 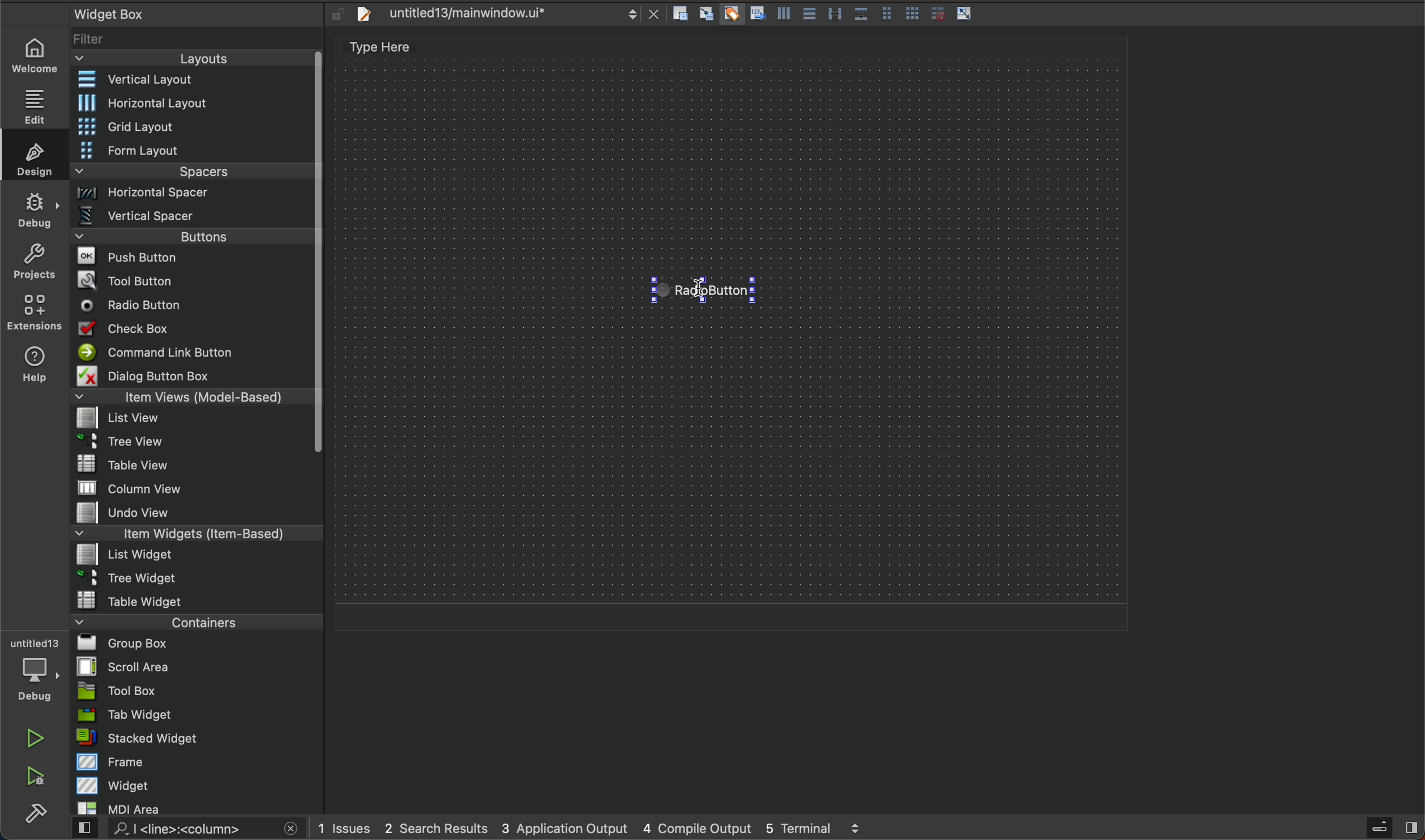 I want to click on scroll area, so click(x=197, y=666).